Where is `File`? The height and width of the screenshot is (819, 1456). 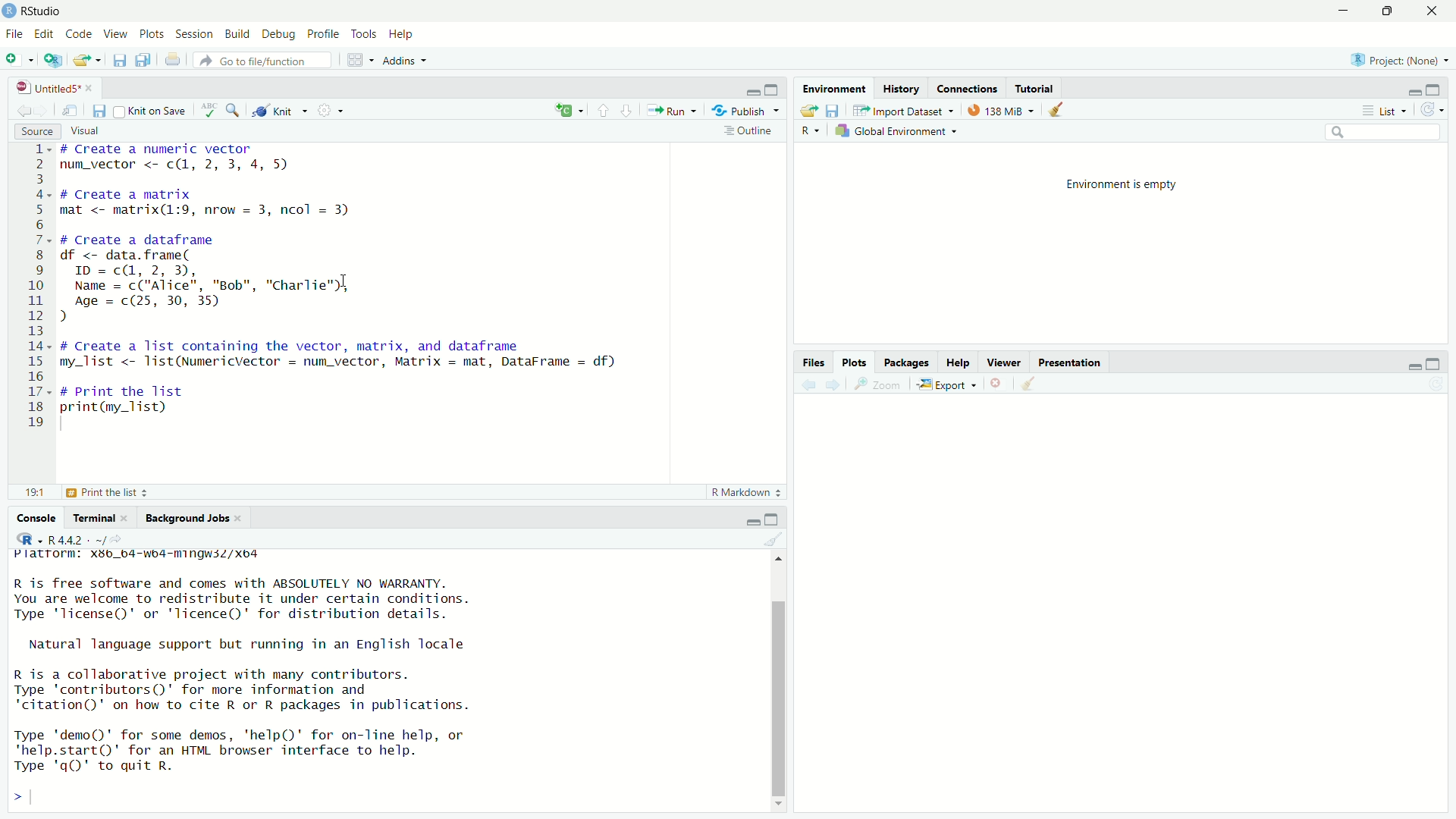
File is located at coordinates (14, 33).